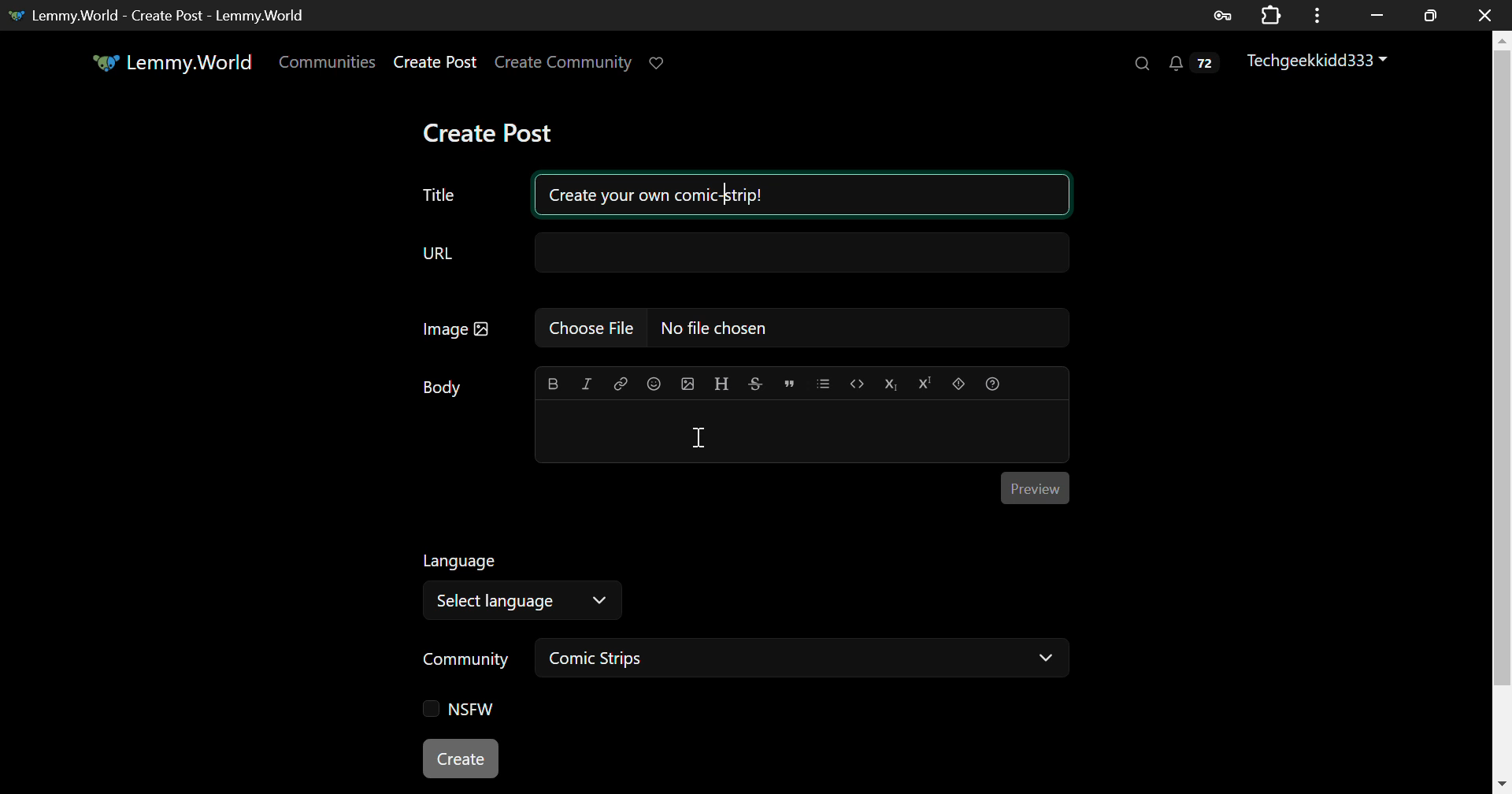 This screenshot has height=794, width=1512. What do you see at coordinates (1433, 15) in the screenshot?
I see `Minimize` at bounding box center [1433, 15].